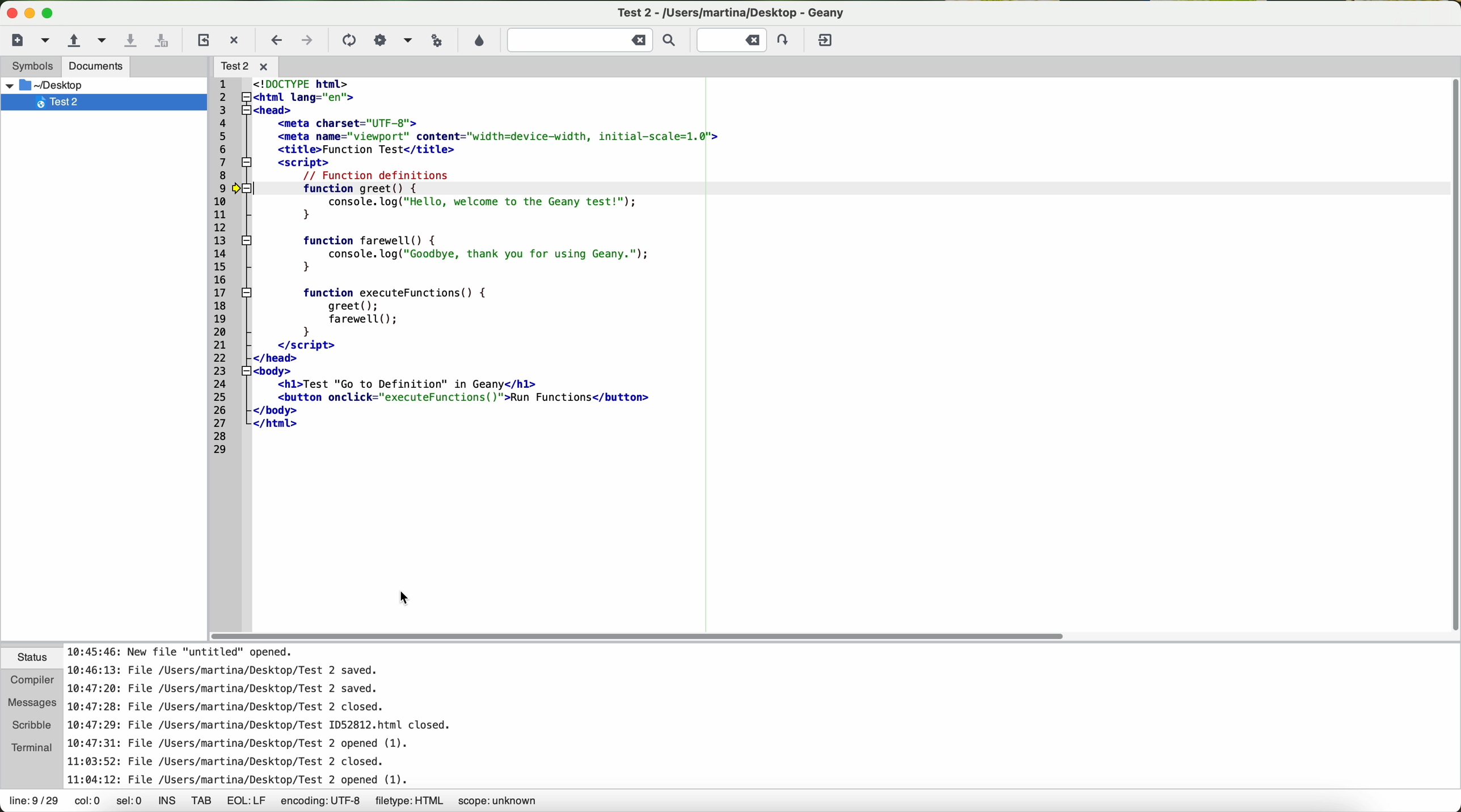  Describe the element at coordinates (103, 42) in the screenshot. I see `open a recent file` at that location.